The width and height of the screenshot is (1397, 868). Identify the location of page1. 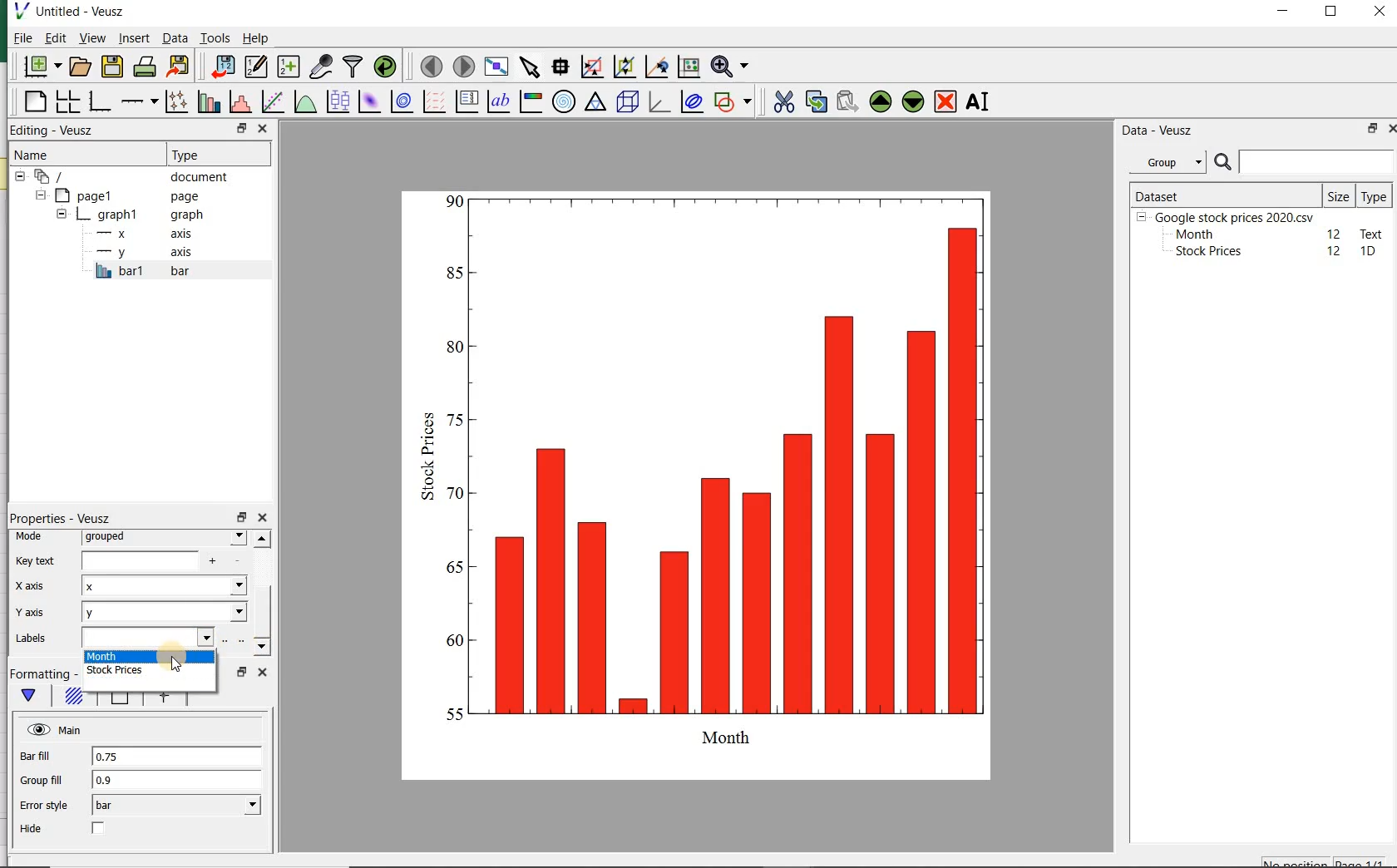
(121, 196).